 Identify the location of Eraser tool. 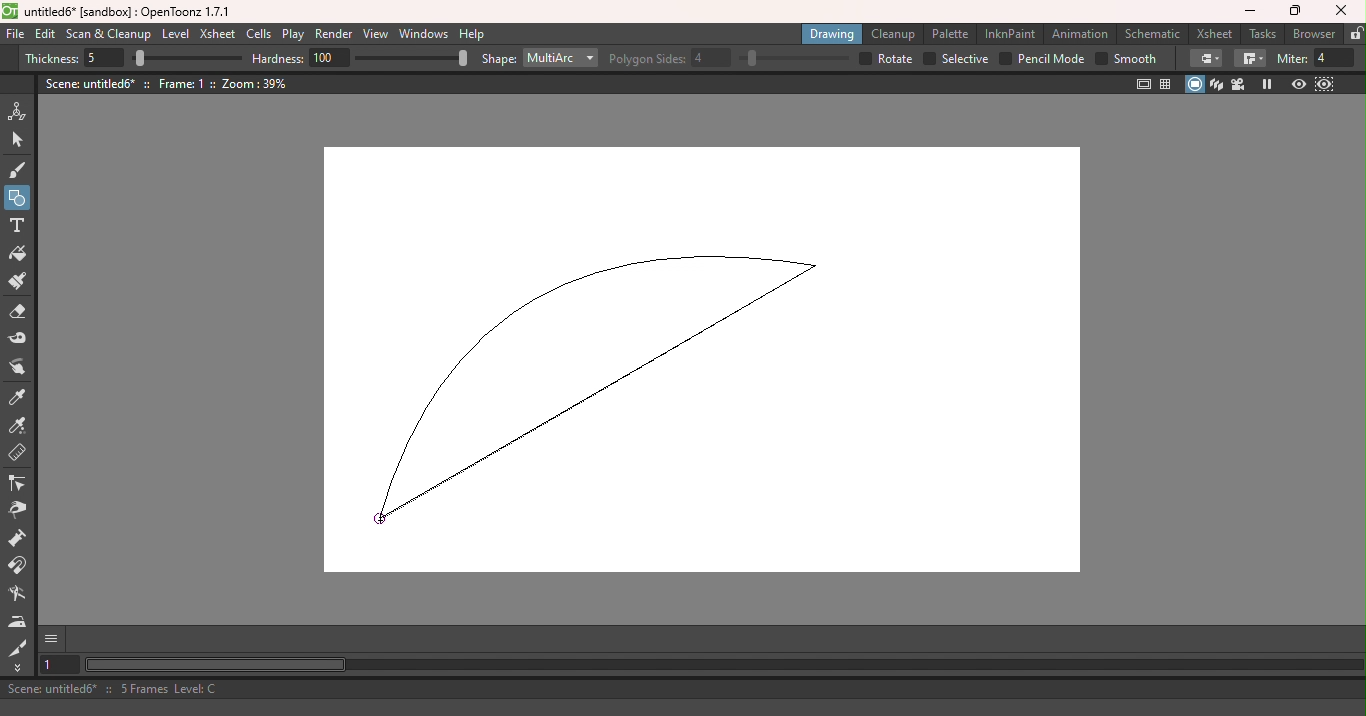
(17, 313).